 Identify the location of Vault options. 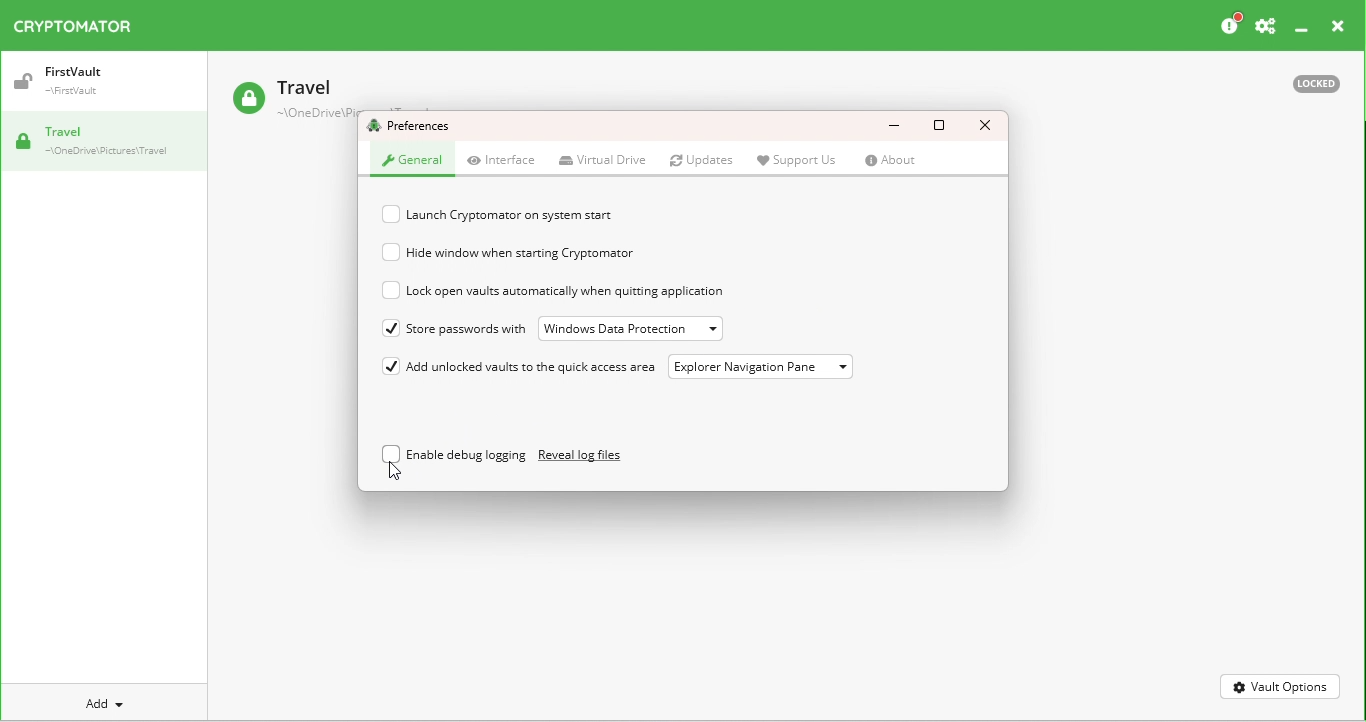
(1279, 691).